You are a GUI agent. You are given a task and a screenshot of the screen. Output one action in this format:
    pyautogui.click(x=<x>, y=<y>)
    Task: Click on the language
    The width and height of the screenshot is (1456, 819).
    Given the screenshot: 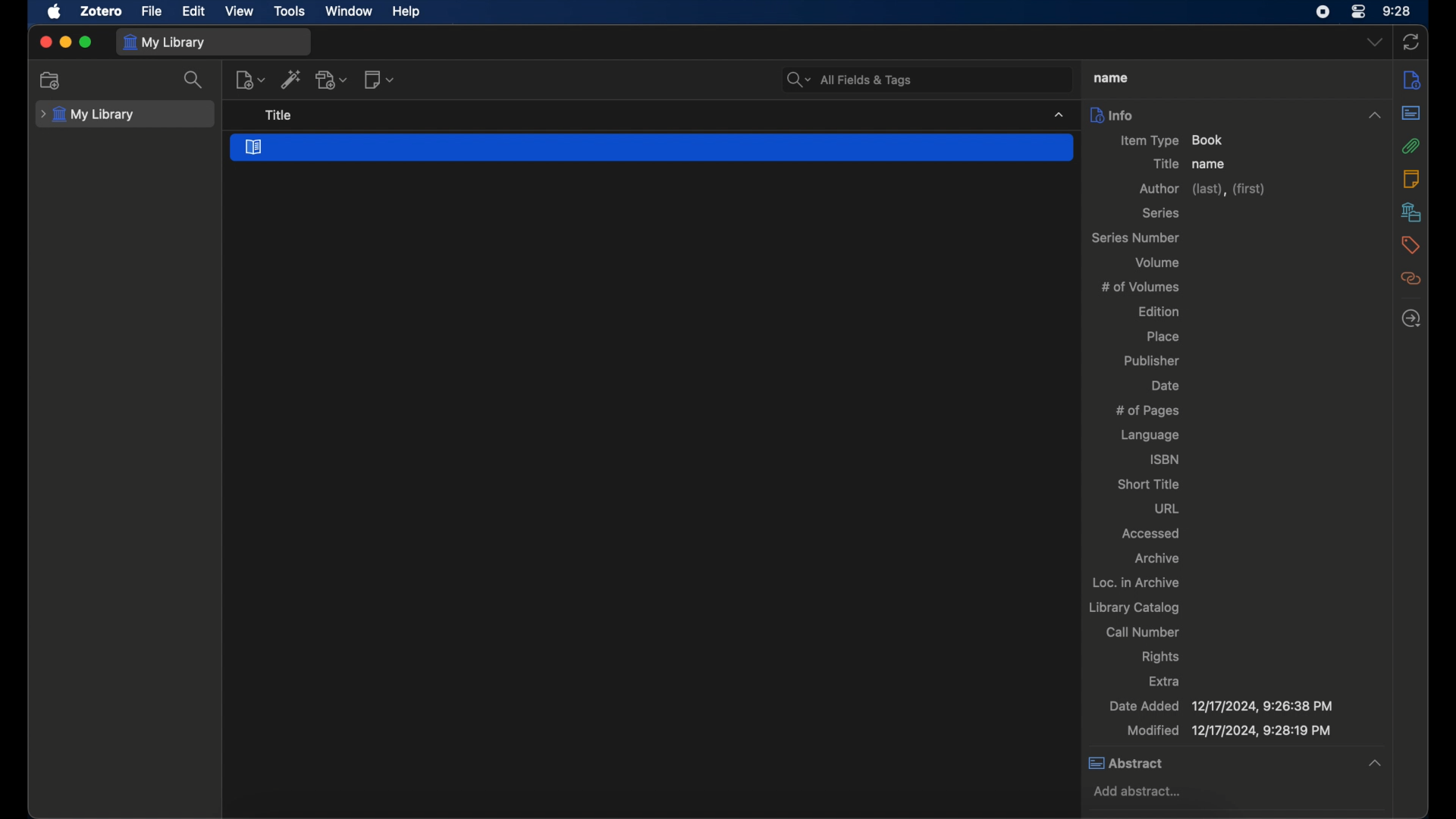 What is the action you would take?
    pyautogui.click(x=1151, y=435)
    